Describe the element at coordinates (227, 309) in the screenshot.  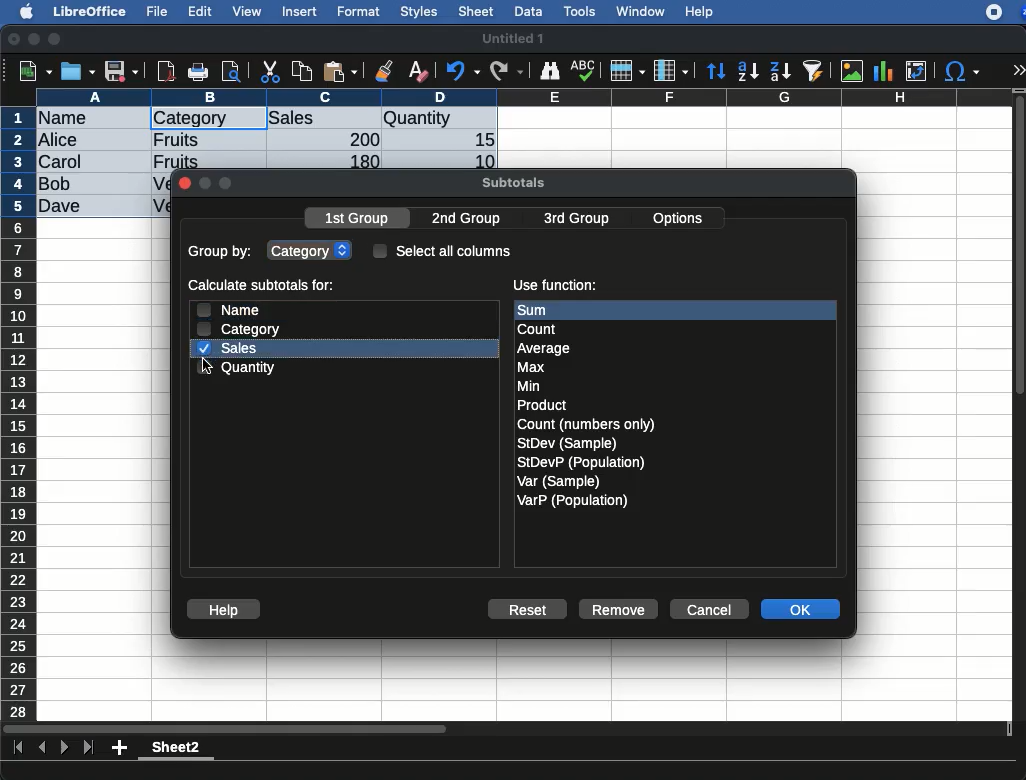
I see `name` at that location.